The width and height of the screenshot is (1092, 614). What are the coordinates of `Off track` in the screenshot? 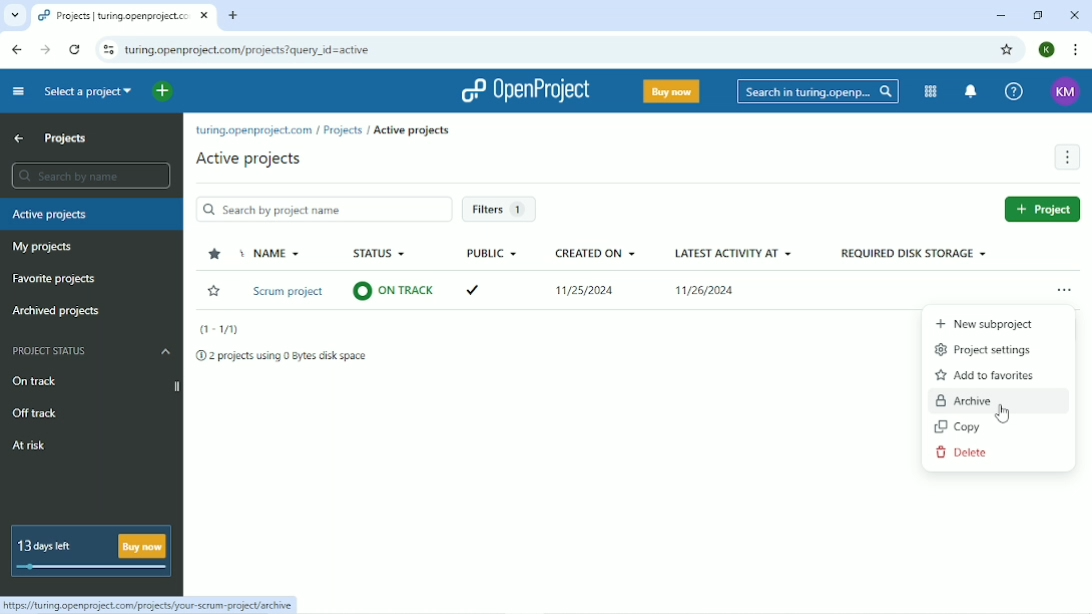 It's located at (35, 411).